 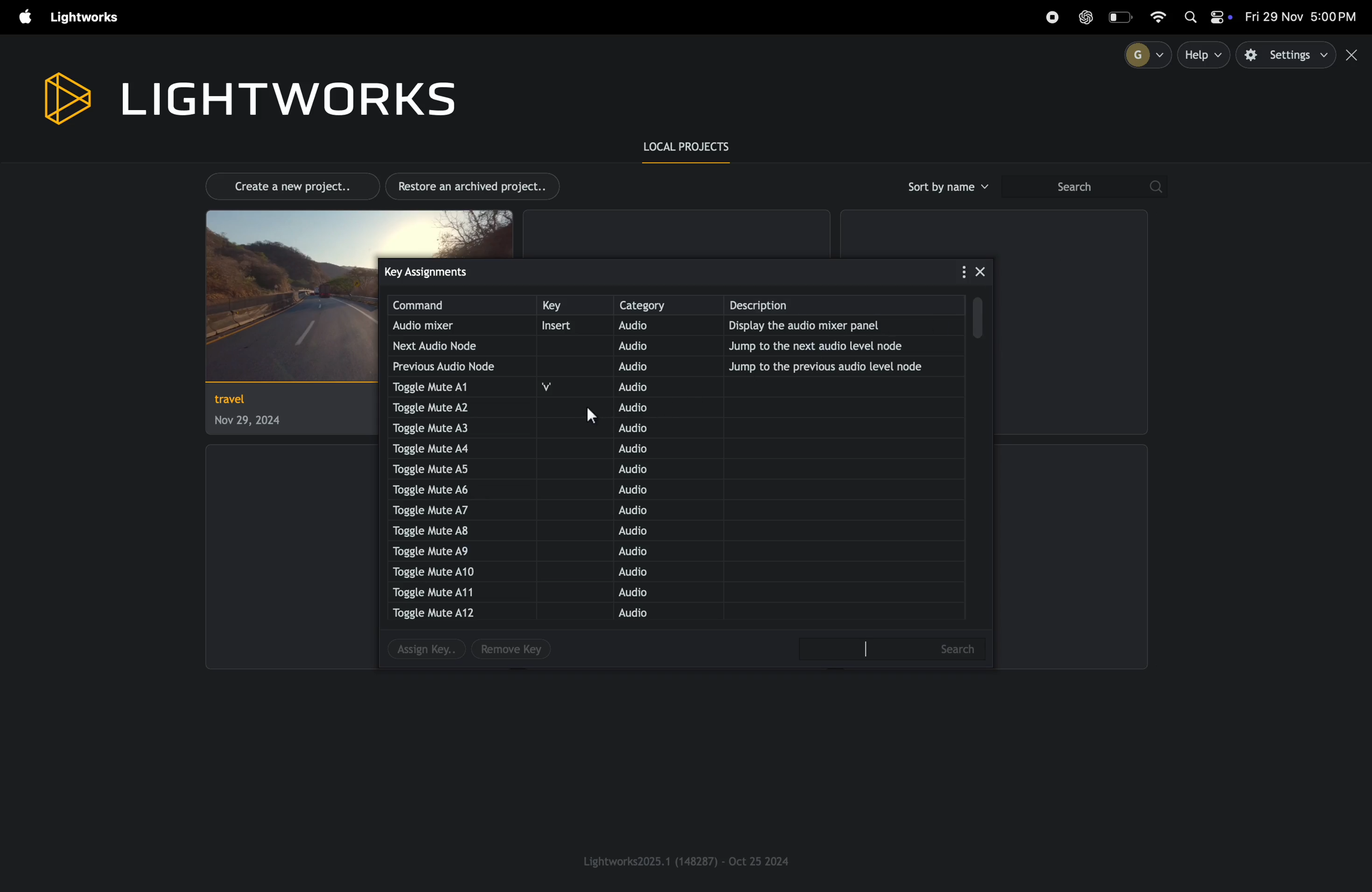 I want to click on audio, so click(x=656, y=327).